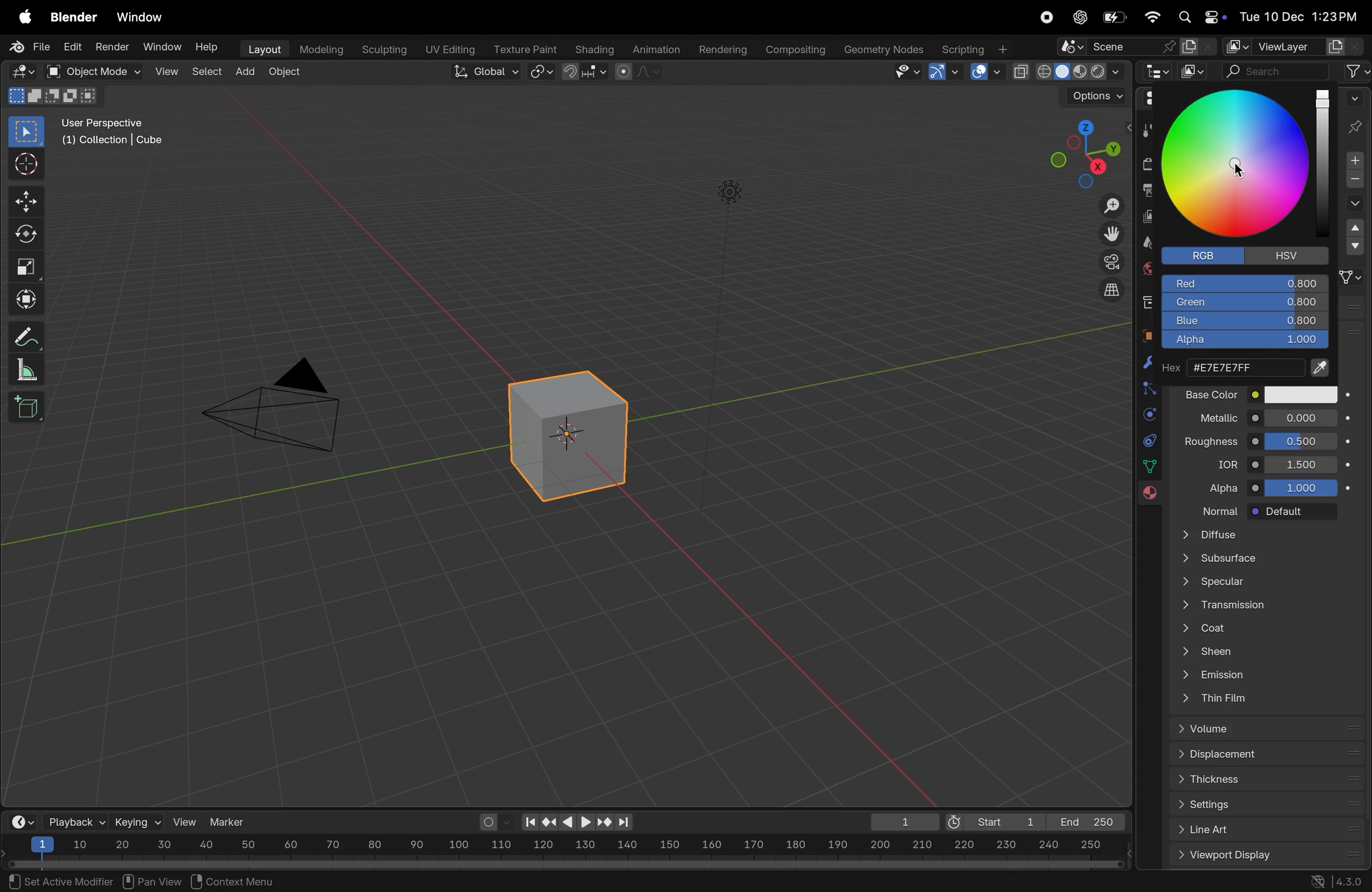 This screenshot has width=1372, height=892. Describe the element at coordinates (232, 821) in the screenshot. I see `marker` at that location.